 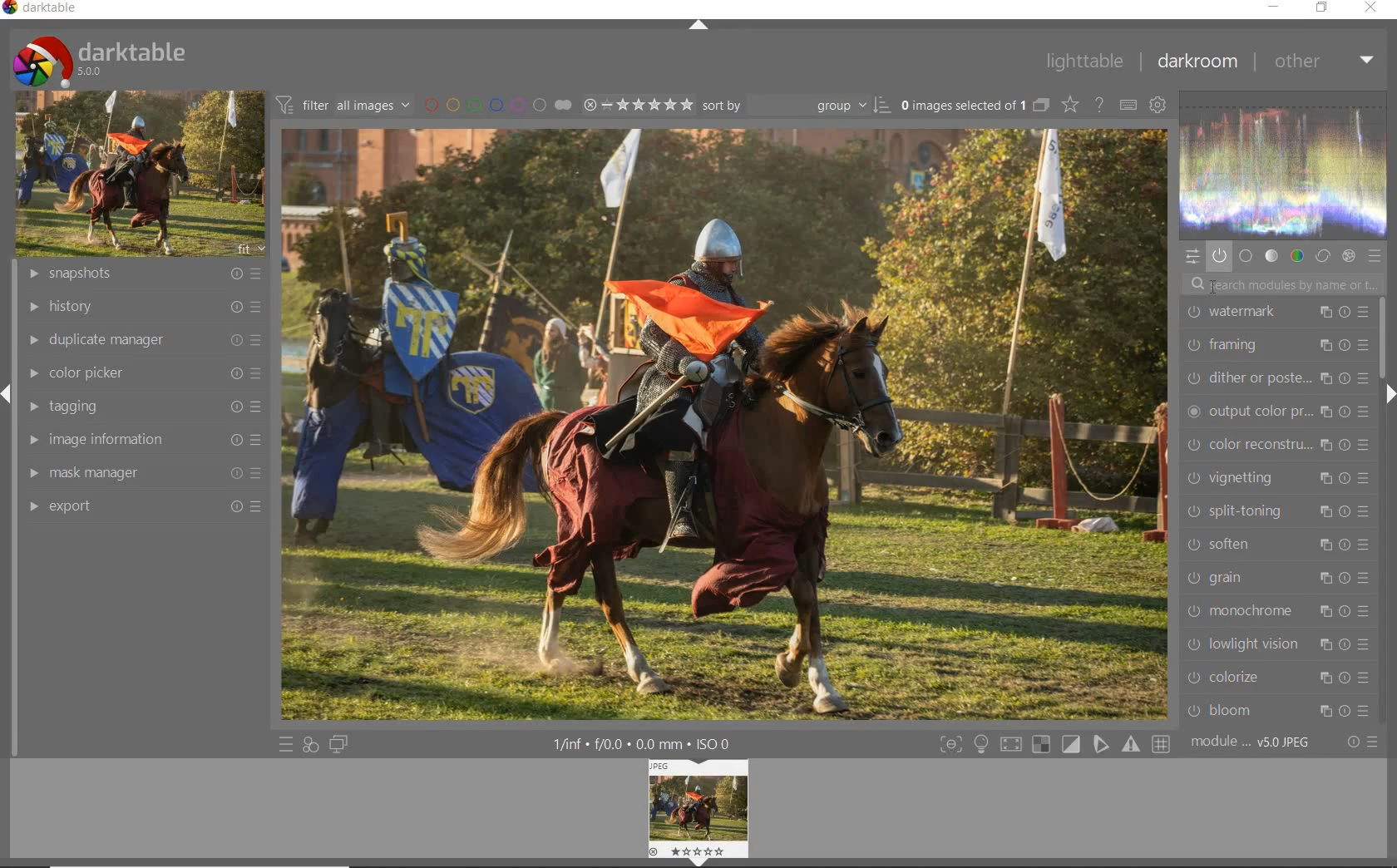 What do you see at coordinates (1298, 254) in the screenshot?
I see `color` at bounding box center [1298, 254].